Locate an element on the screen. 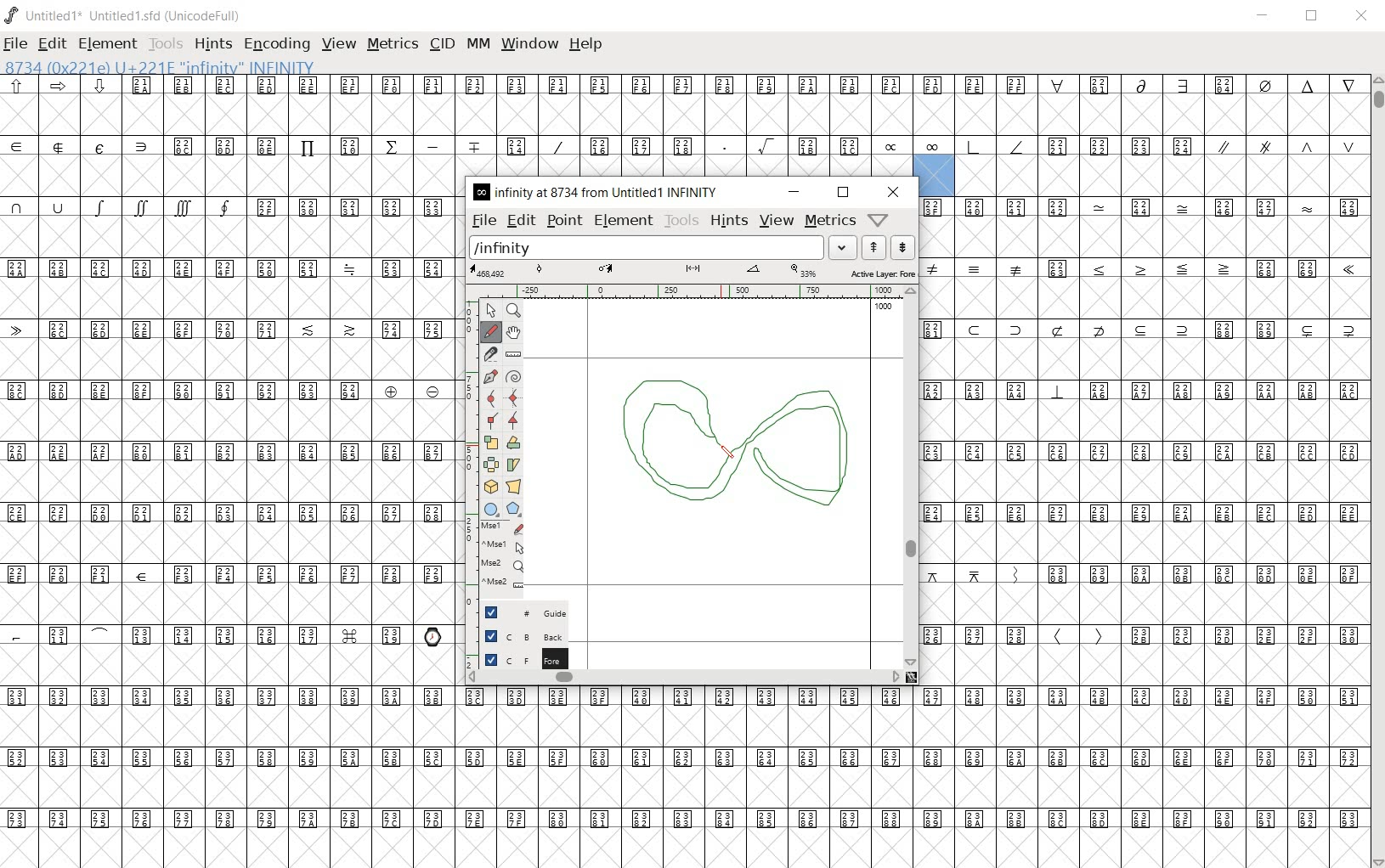 Image resolution: width=1385 pixels, height=868 pixels. show the previous or next word list is located at coordinates (888, 247).